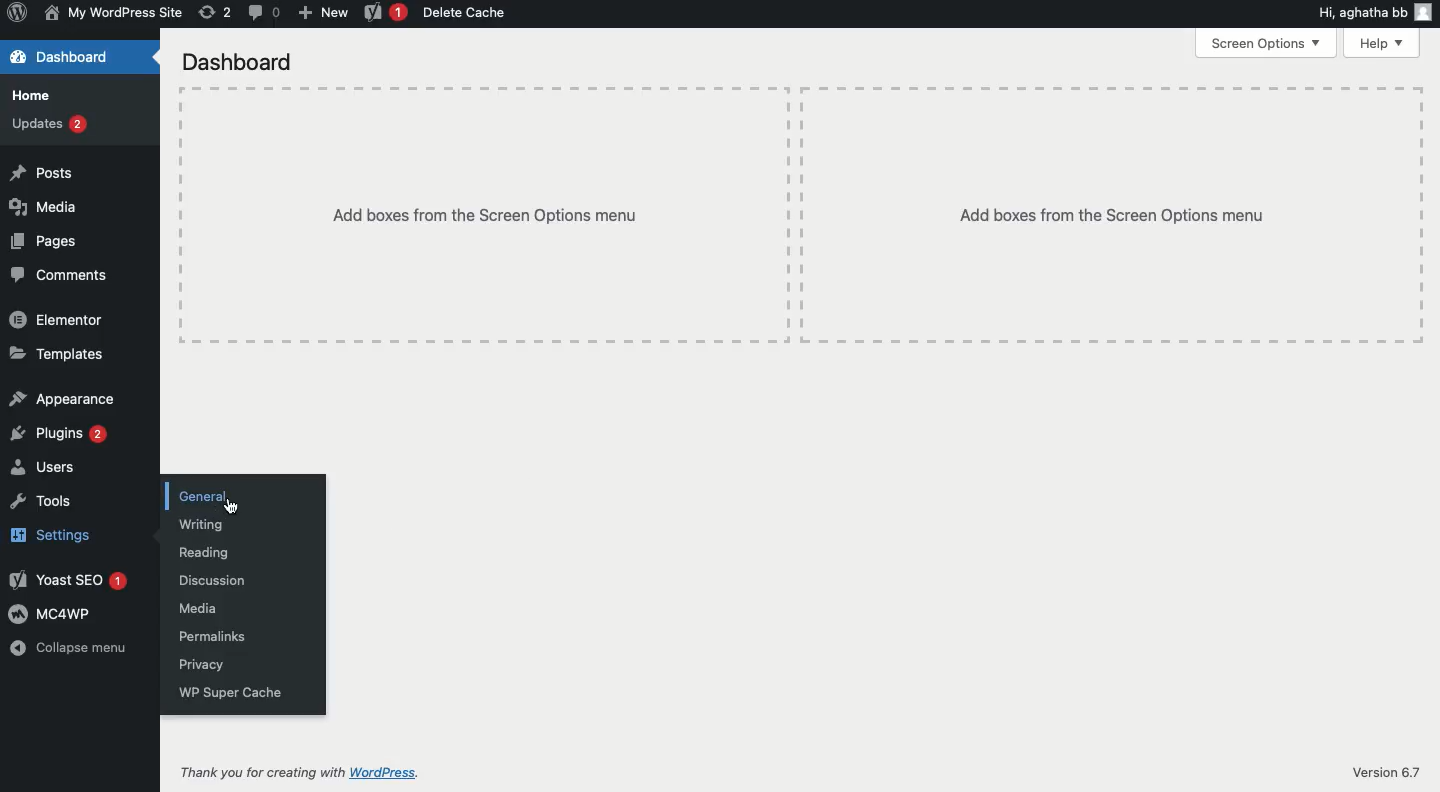 The width and height of the screenshot is (1440, 792). Describe the element at coordinates (229, 692) in the screenshot. I see `WP super cache` at that location.